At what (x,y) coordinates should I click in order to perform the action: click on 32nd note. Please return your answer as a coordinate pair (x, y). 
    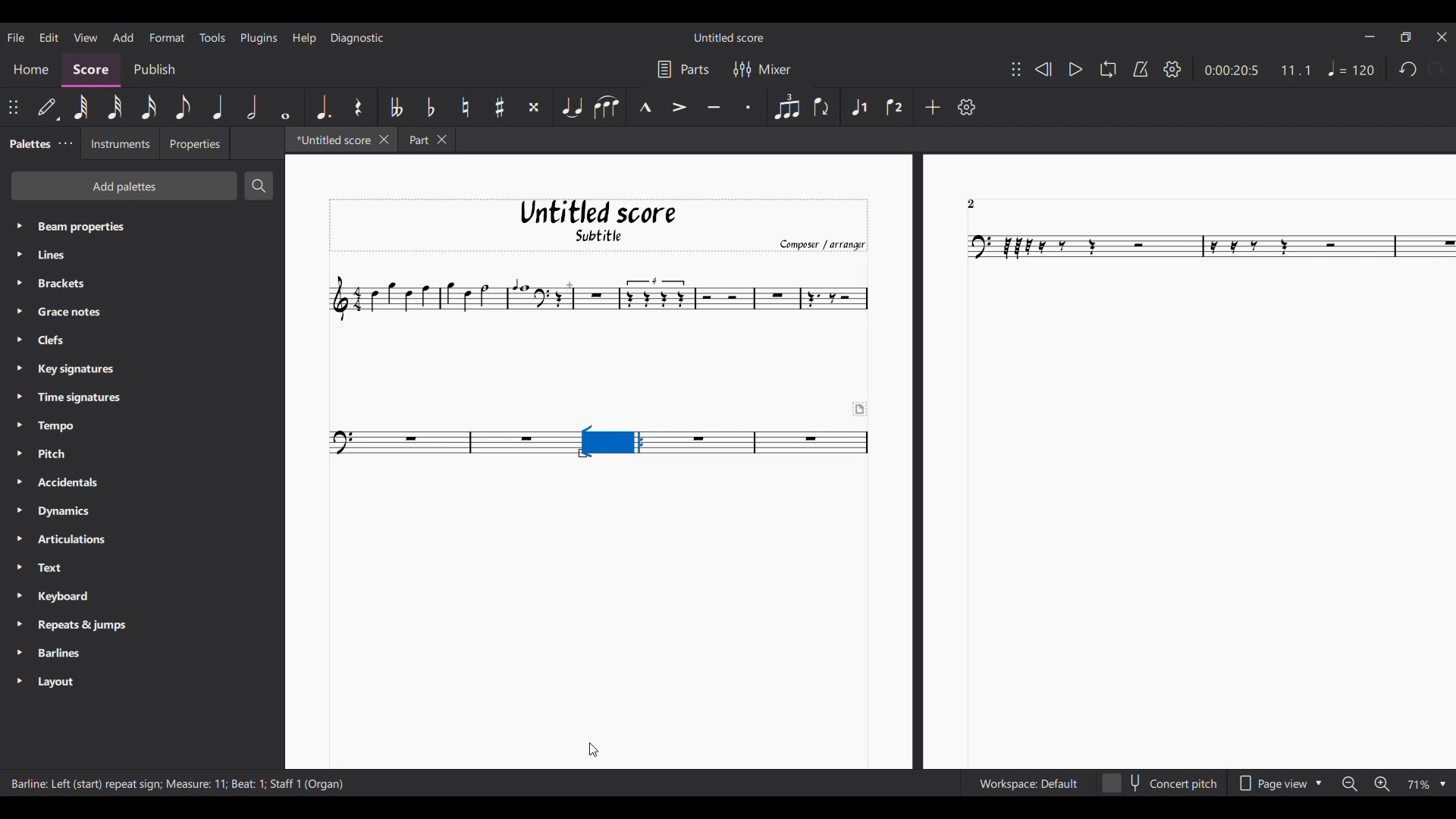
    Looking at the image, I should click on (115, 108).